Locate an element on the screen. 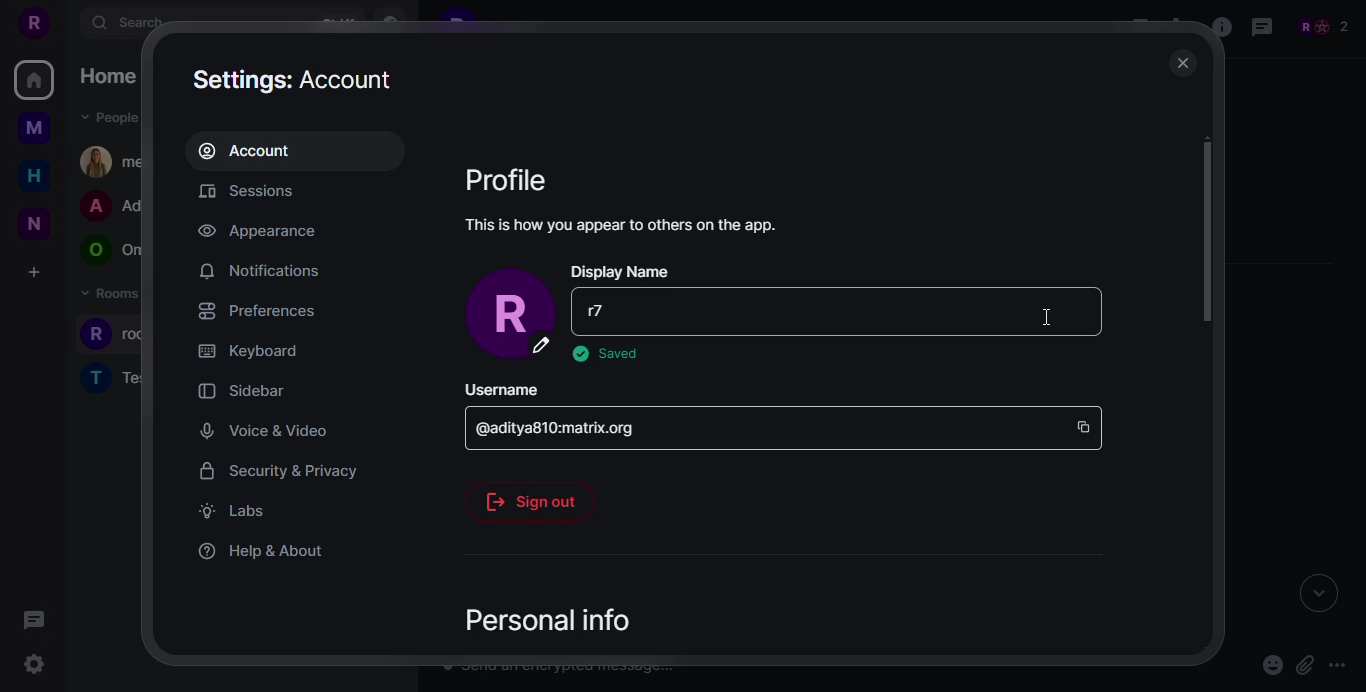  people is located at coordinates (113, 251).